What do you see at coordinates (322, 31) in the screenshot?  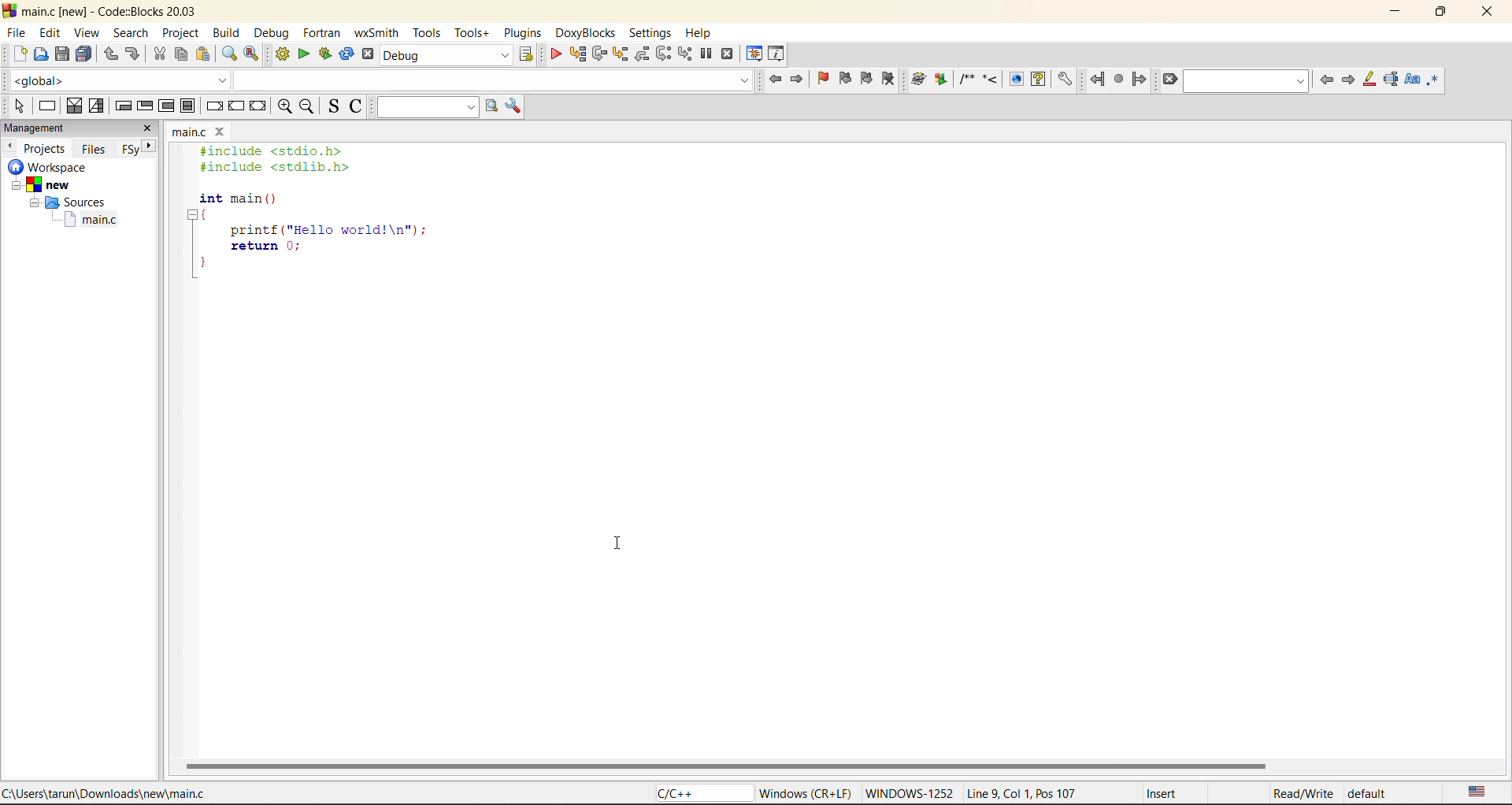 I see `fortran` at bounding box center [322, 31].